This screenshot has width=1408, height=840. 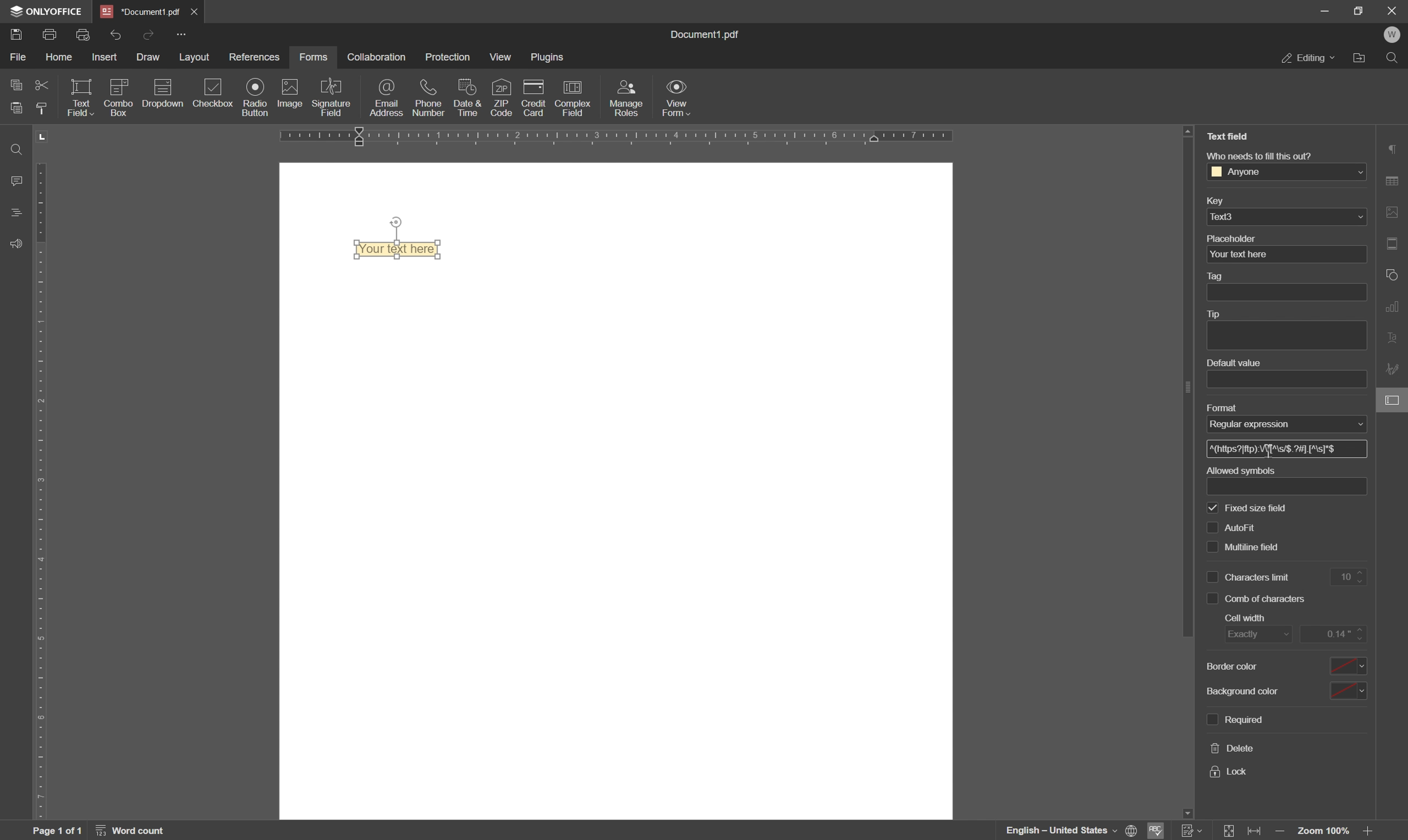 I want to click on format, so click(x=1221, y=406).